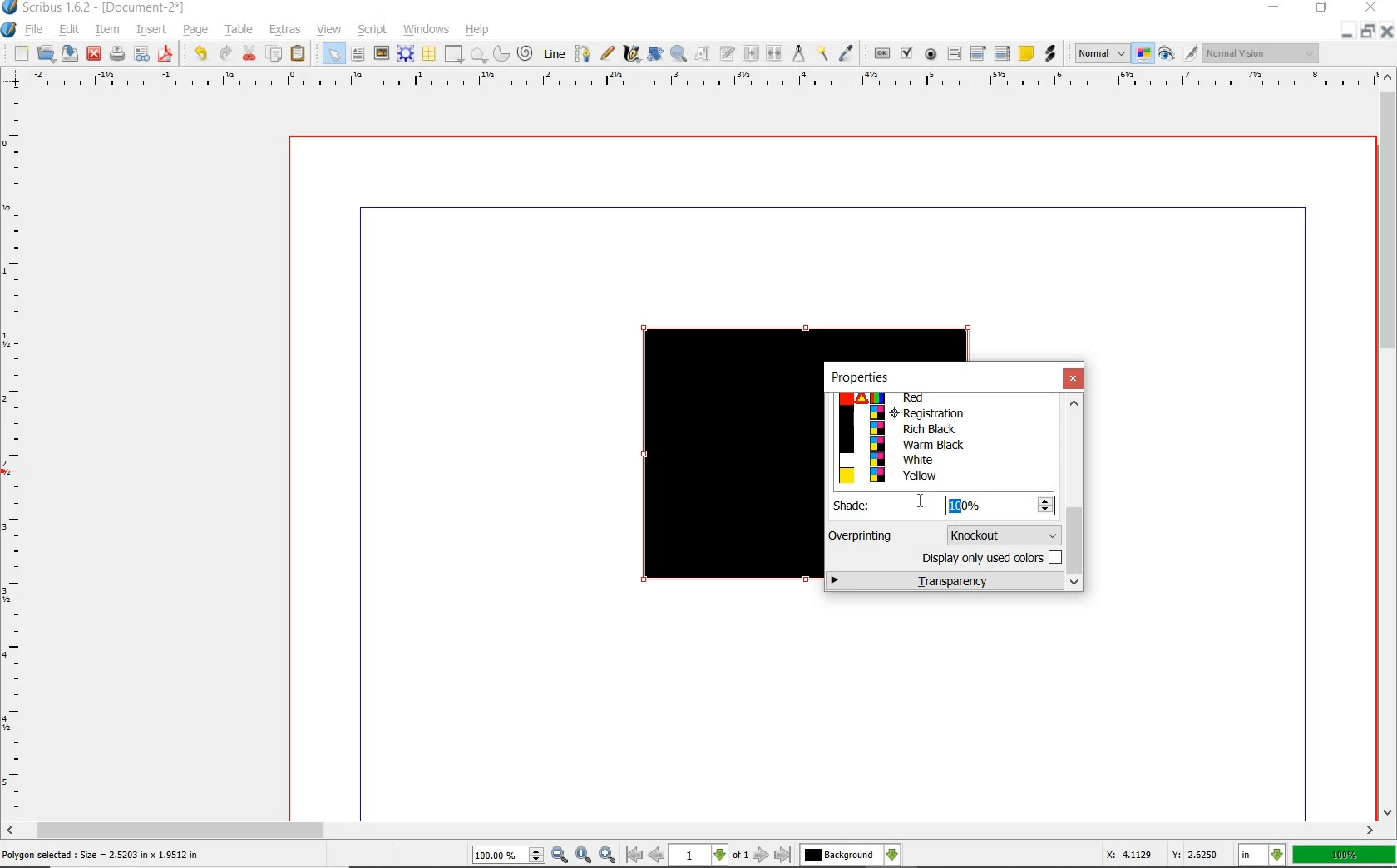 This screenshot has width=1397, height=868. What do you see at coordinates (1344, 856) in the screenshot?
I see `100%` at bounding box center [1344, 856].